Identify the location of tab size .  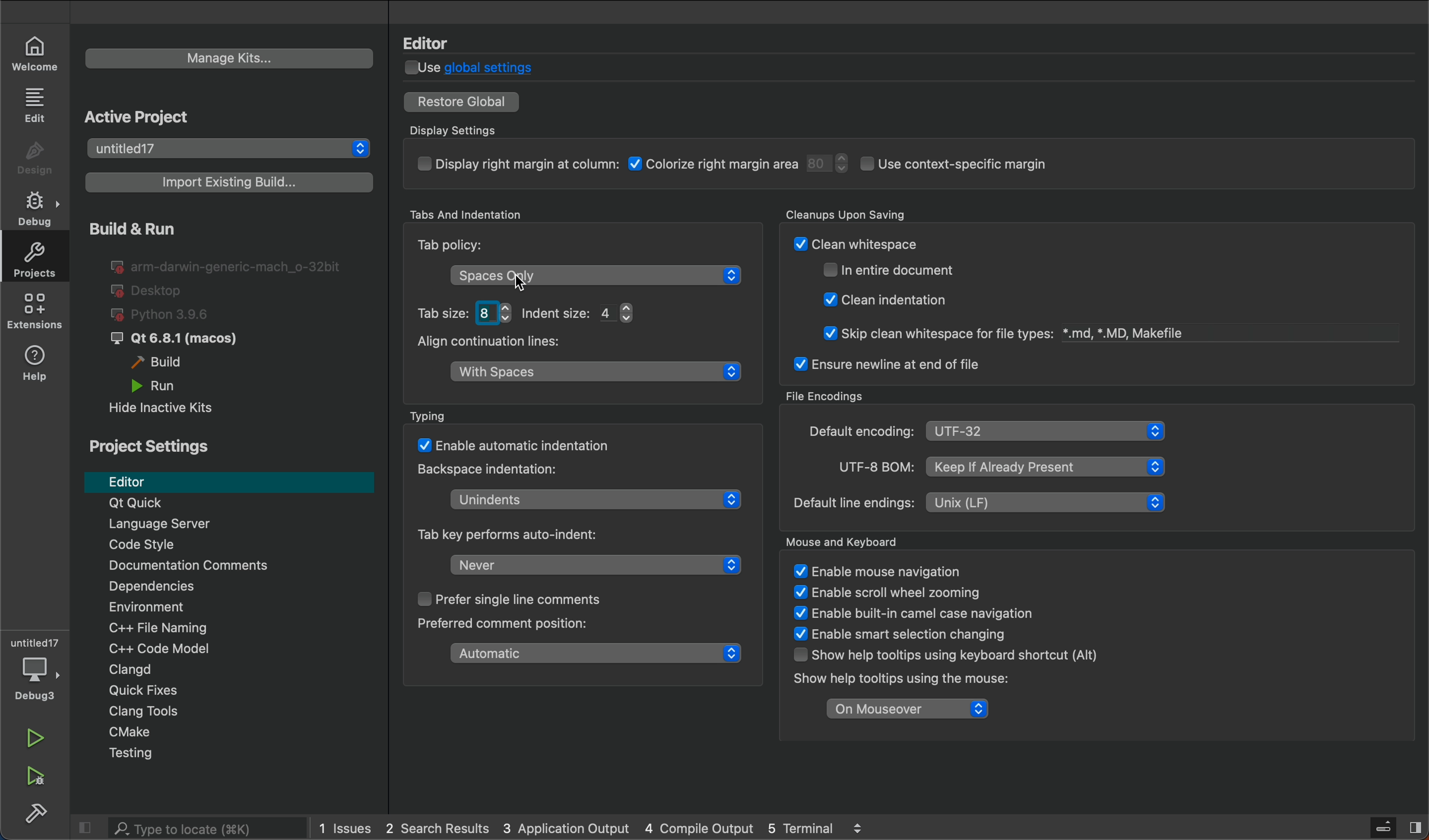
(550, 312).